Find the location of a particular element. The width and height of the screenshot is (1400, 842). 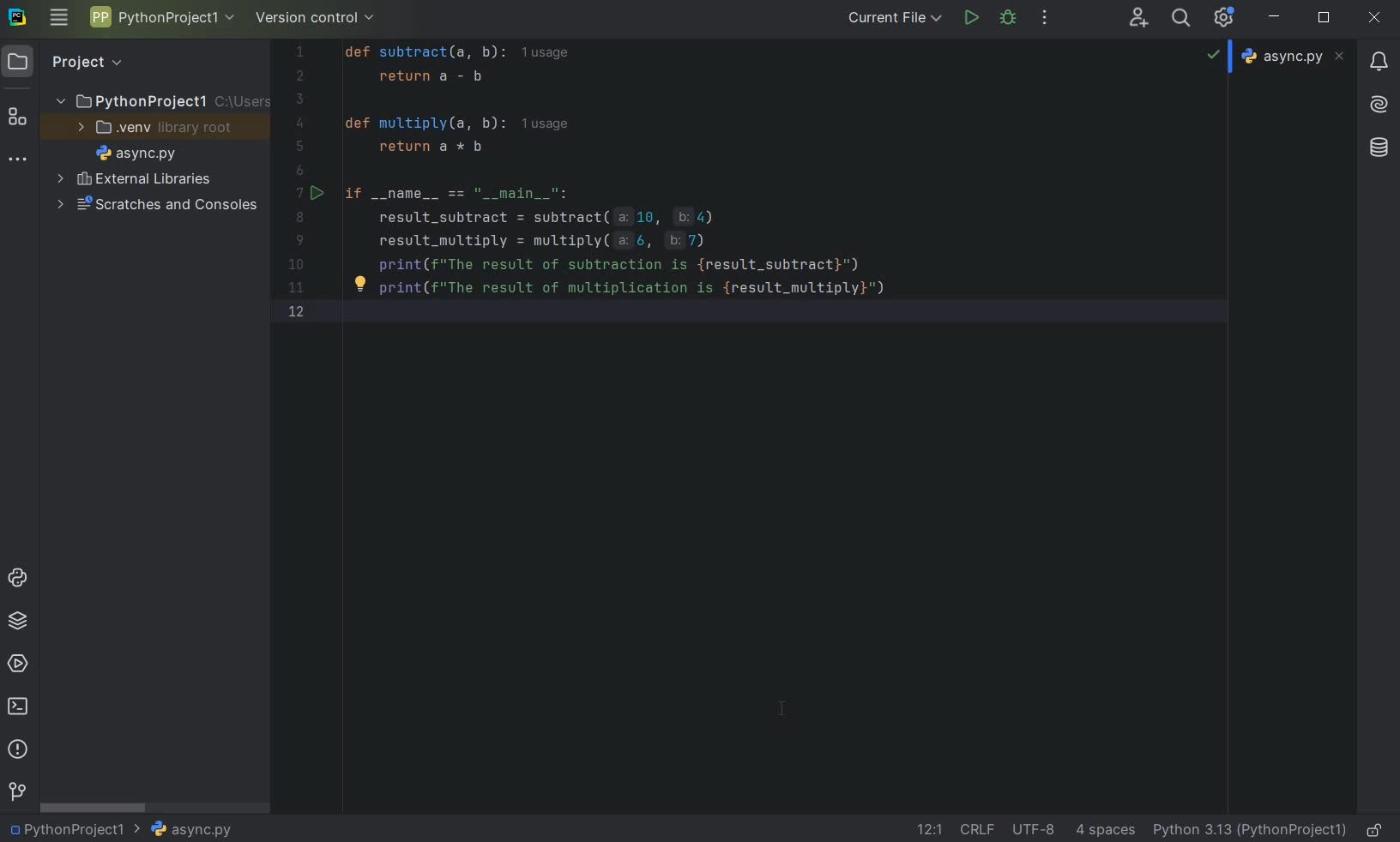

RUN is located at coordinates (973, 19).